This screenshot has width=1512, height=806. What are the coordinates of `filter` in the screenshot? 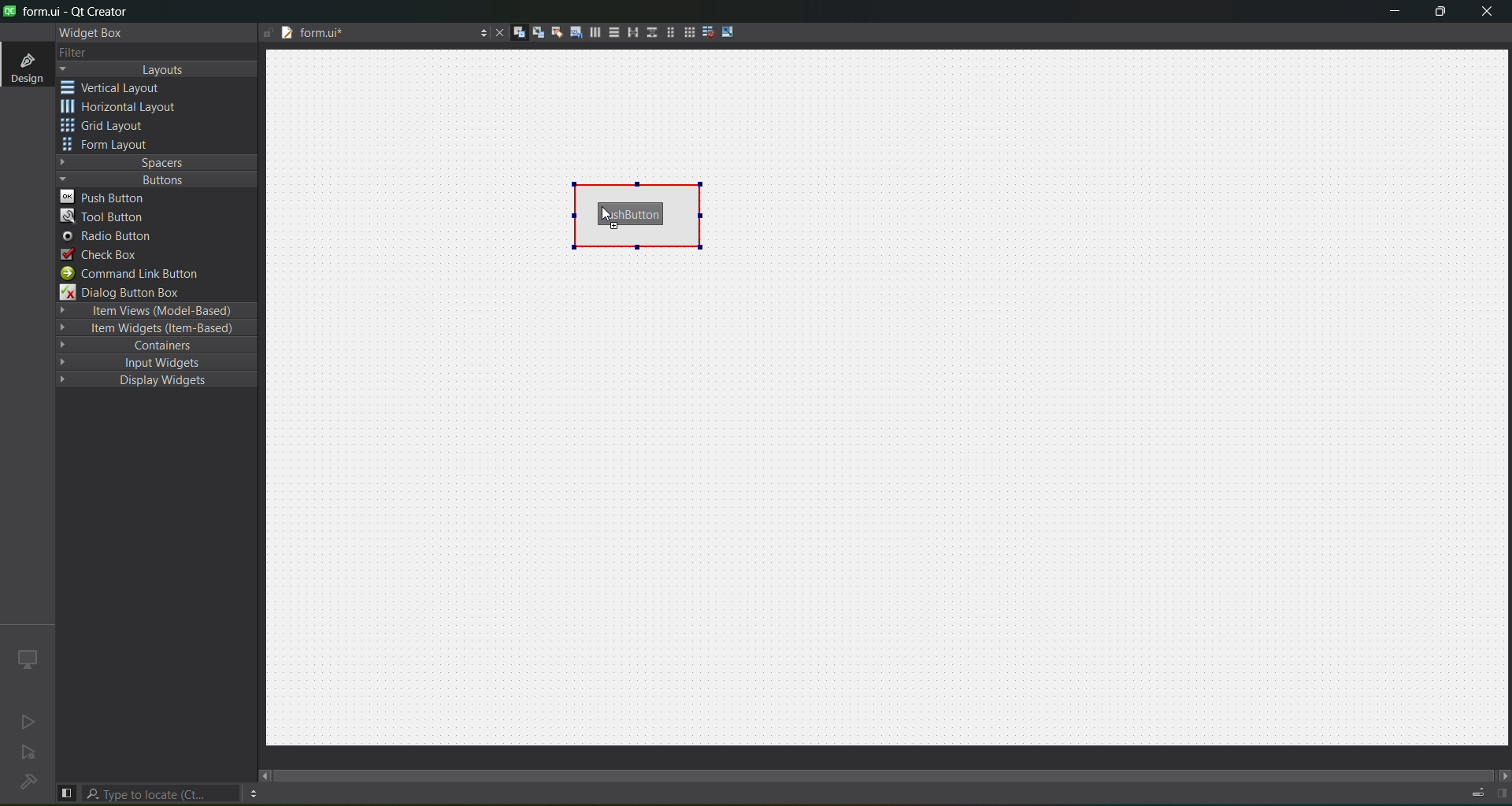 It's located at (72, 52).